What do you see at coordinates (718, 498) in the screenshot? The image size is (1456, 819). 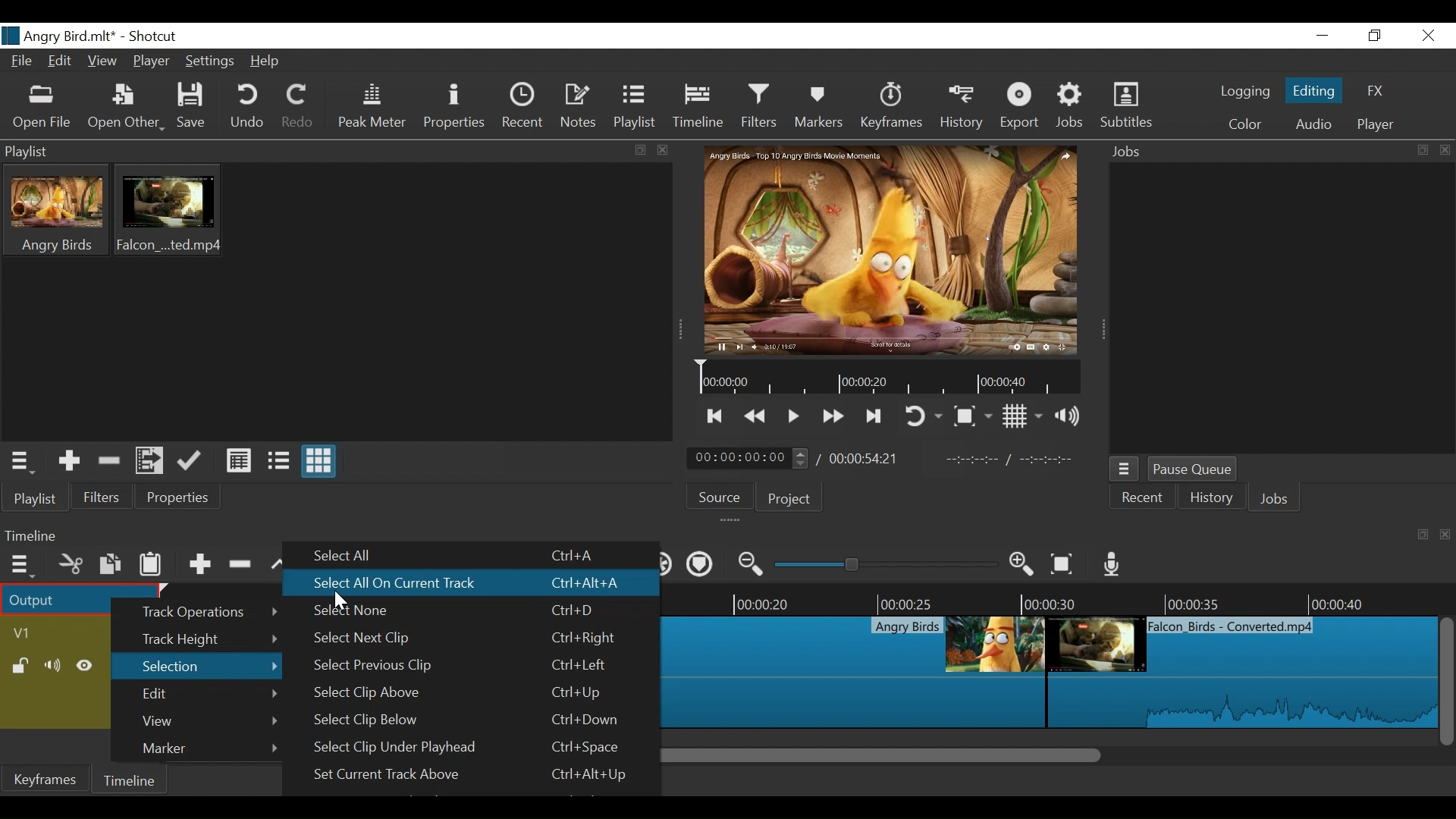 I see `Source` at bounding box center [718, 498].